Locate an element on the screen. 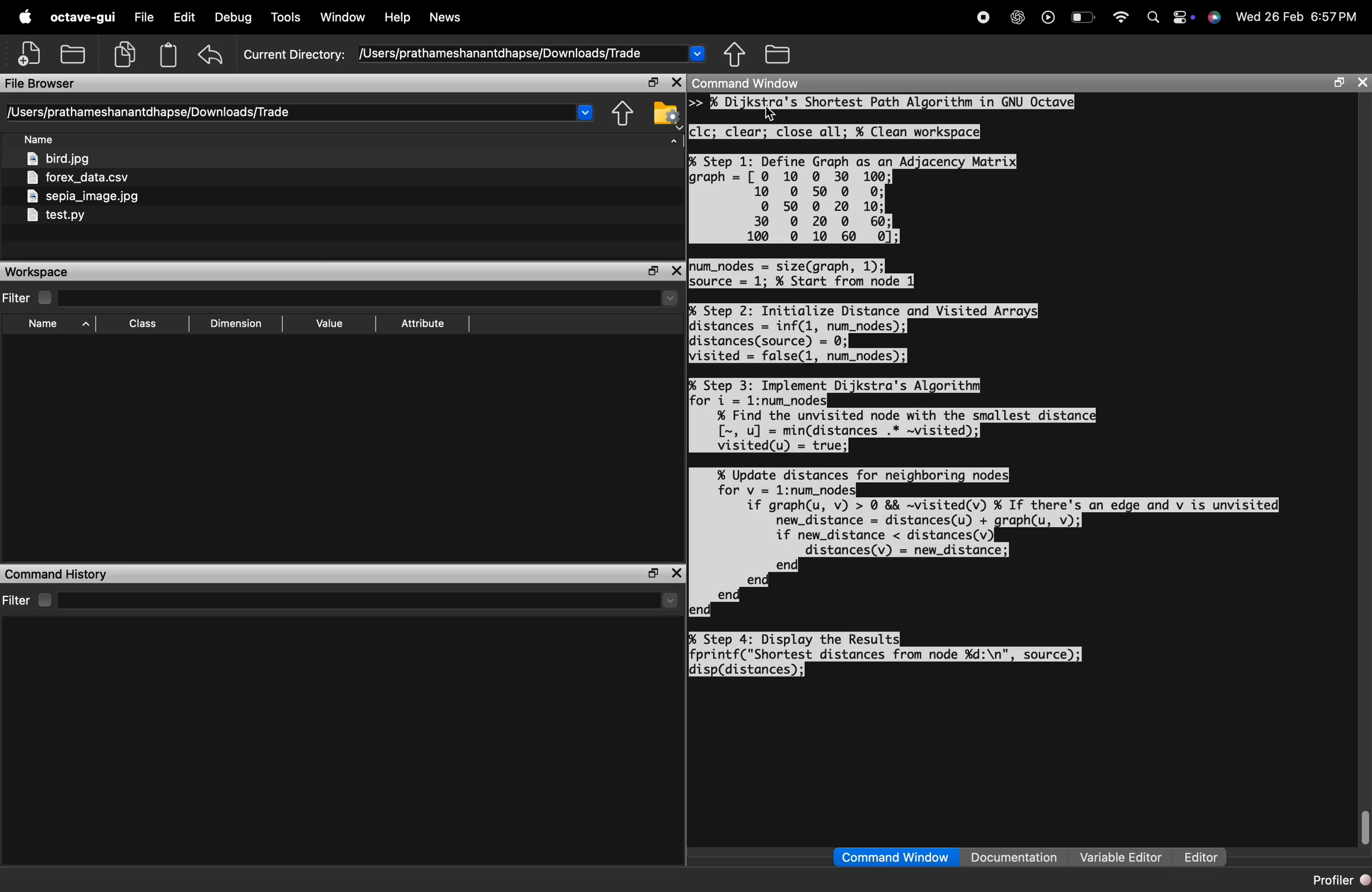 The image size is (1372, 892). sort by file name is located at coordinates (38, 139).